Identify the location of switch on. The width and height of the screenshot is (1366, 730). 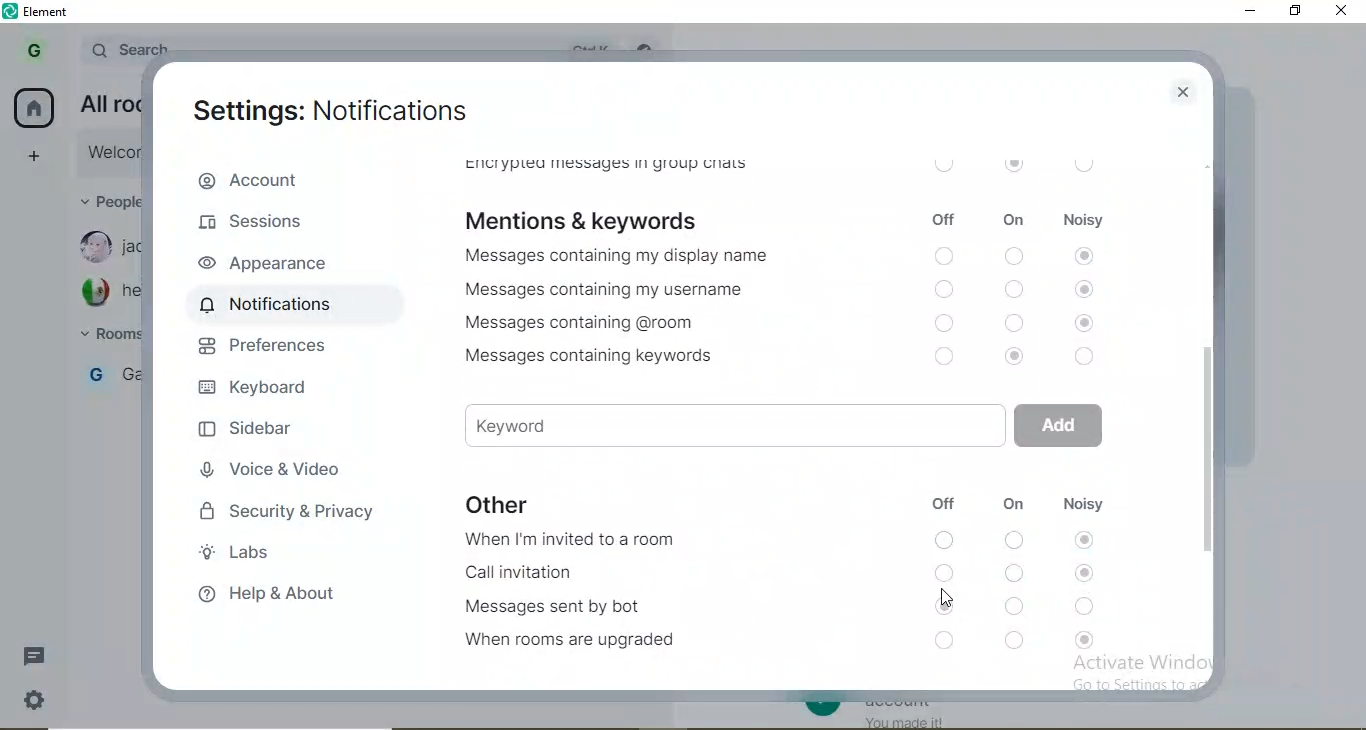
(1020, 360).